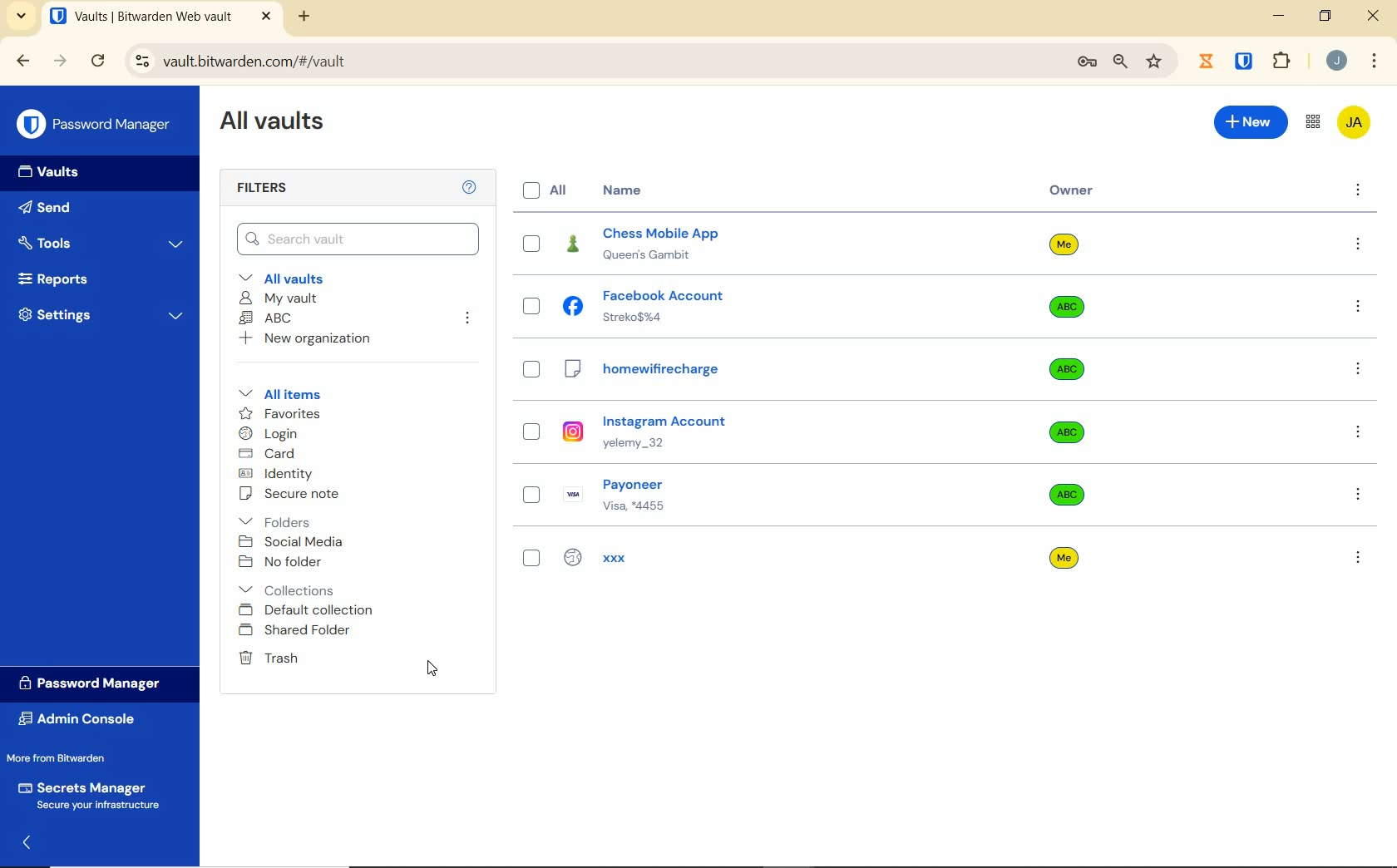 Image resolution: width=1397 pixels, height=868 pixels. Describe the element at coordinates (93, 796) in the screenshot. I see `Secrets Manager` at that location.